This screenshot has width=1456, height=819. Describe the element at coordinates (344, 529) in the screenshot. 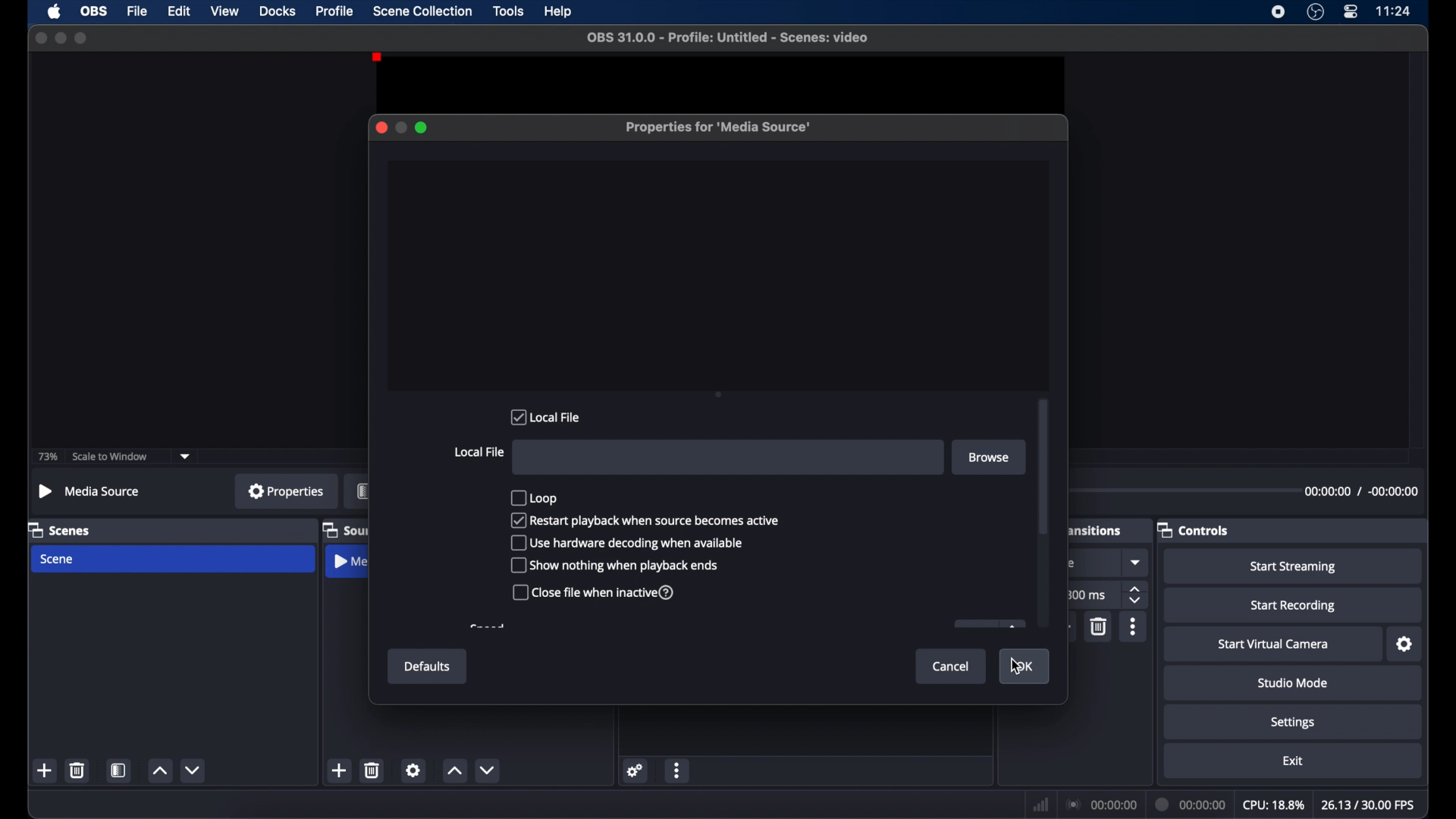

I see `sources` at that location.